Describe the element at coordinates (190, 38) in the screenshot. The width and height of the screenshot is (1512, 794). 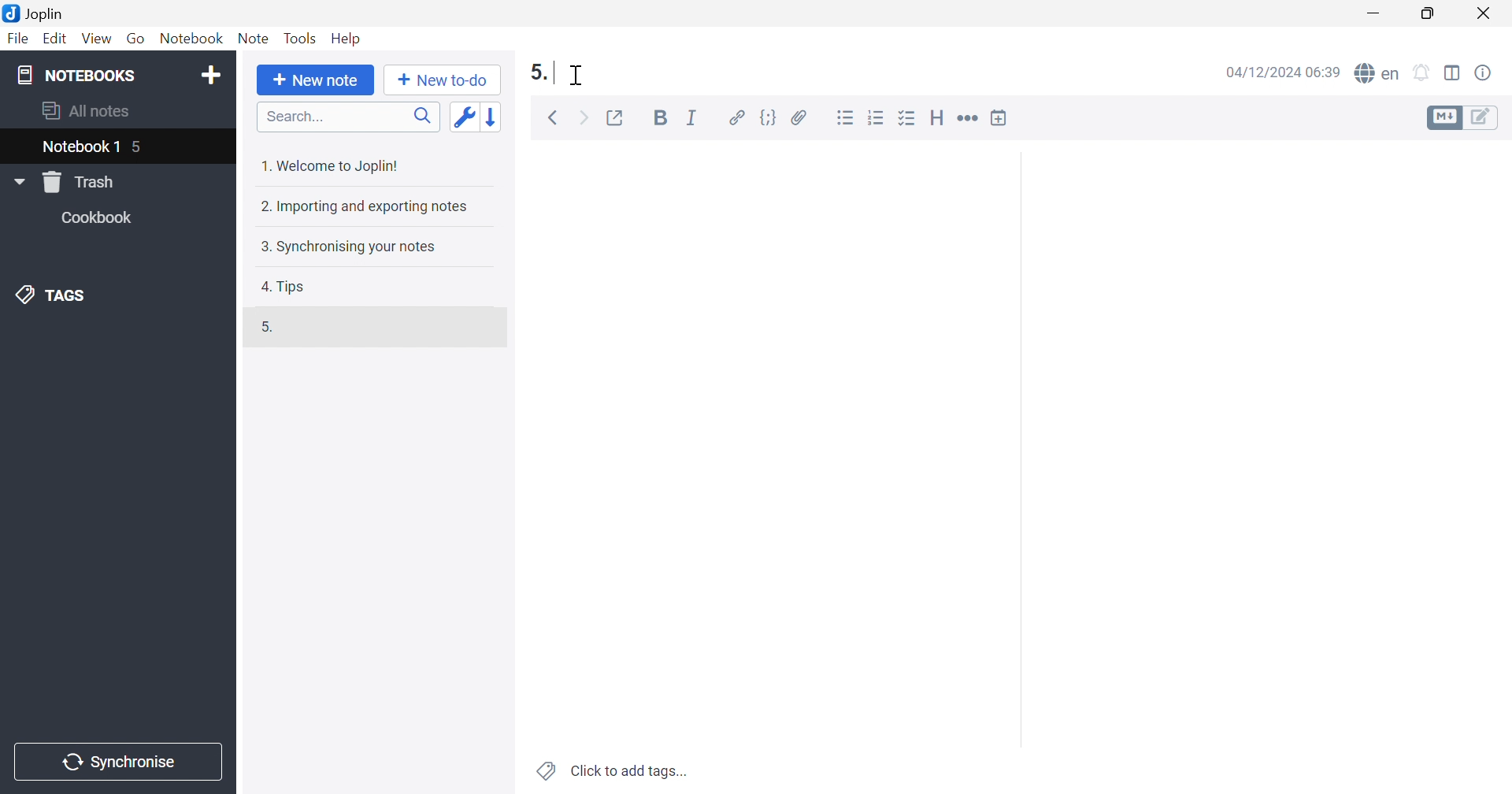
I see `Notebook` at that location.